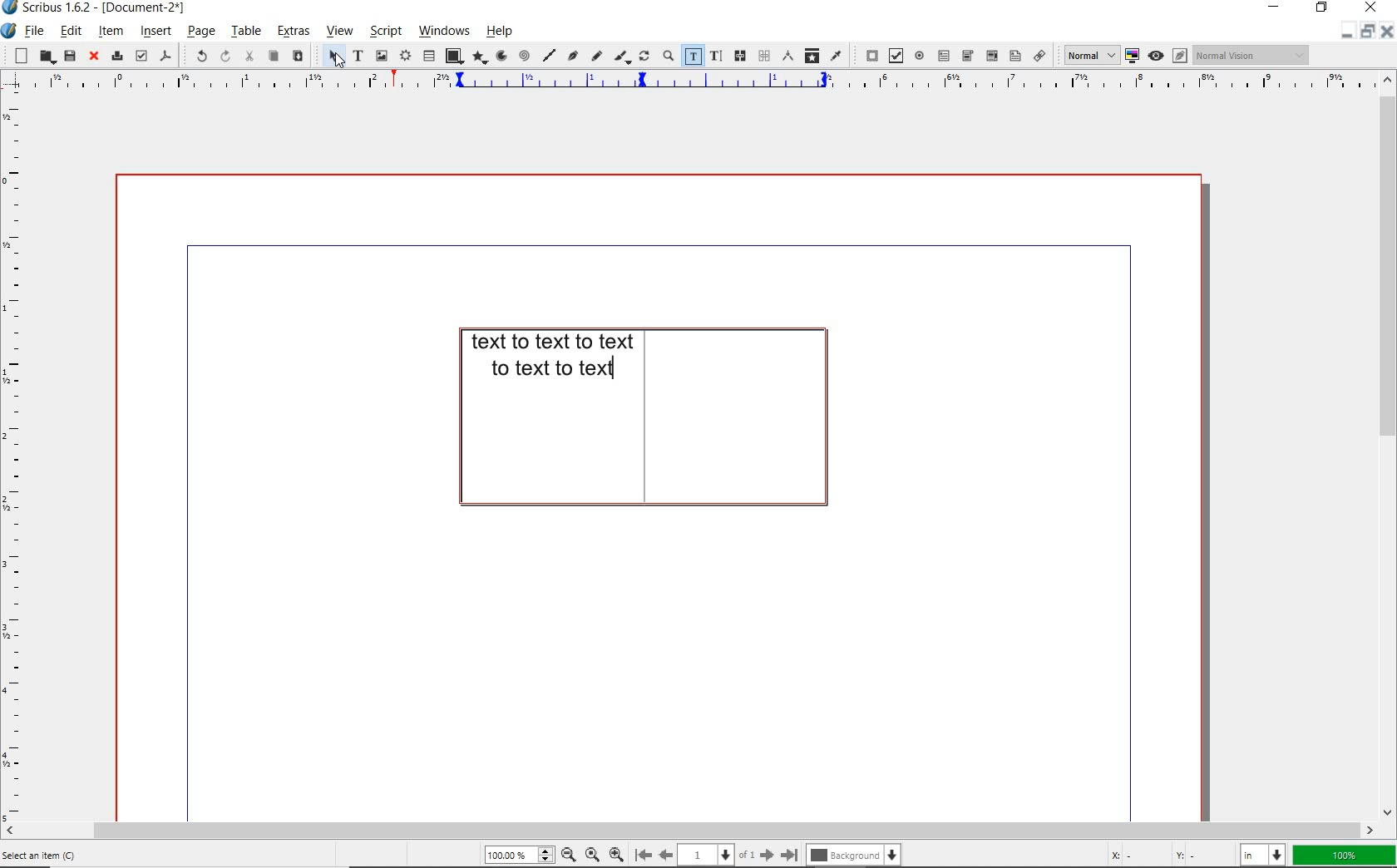 Image resolution: width=1397 pixels, height=868 pixels. What do you see at coordinates (1368, 31) in the screenshot?
I see `minimize/restore/close document` at bounding box center [1368, 31].